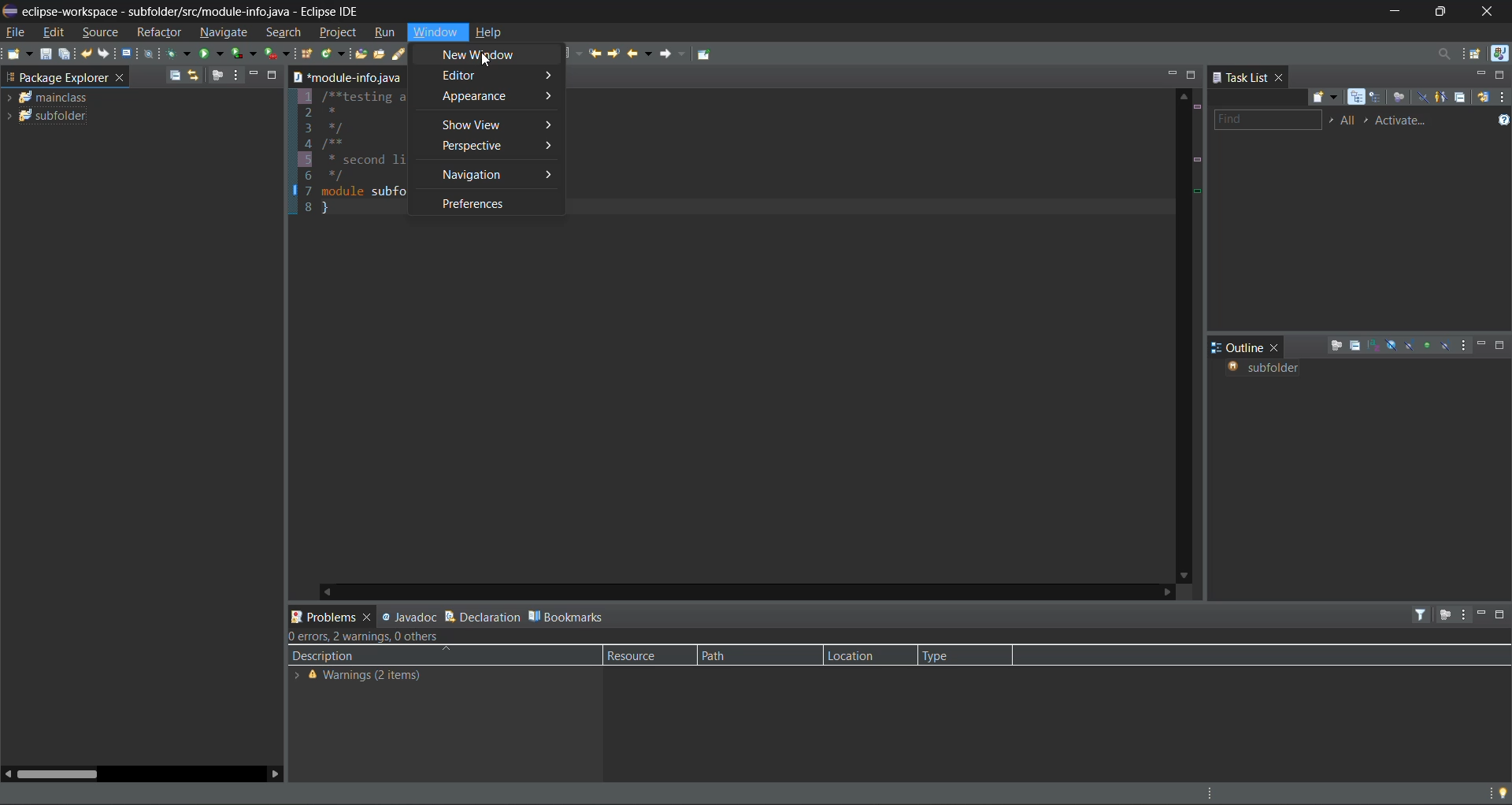 The image size is (1512, 805). What do you see at coordinates (615, 53) in the screenshot?
I see `next edit location` at bounding box center [615, 53].